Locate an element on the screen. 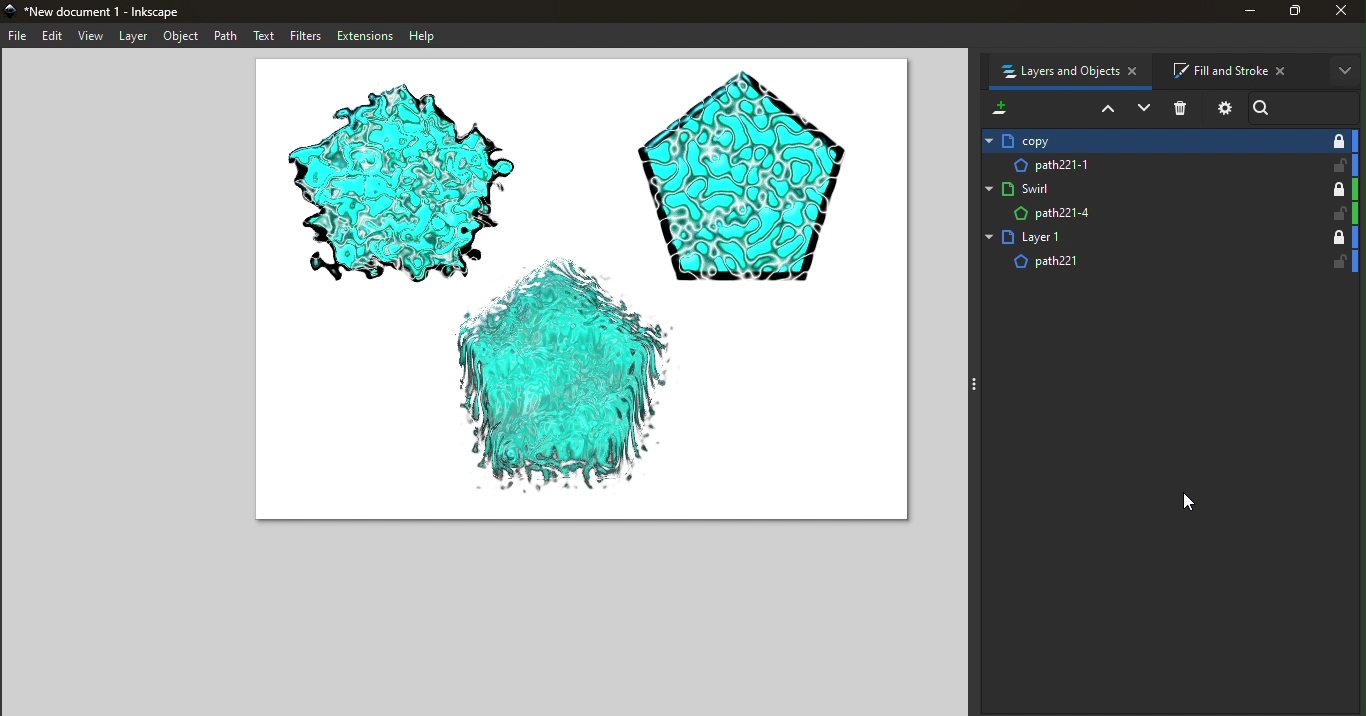  Cursor is located at coordinates (1191, 502).